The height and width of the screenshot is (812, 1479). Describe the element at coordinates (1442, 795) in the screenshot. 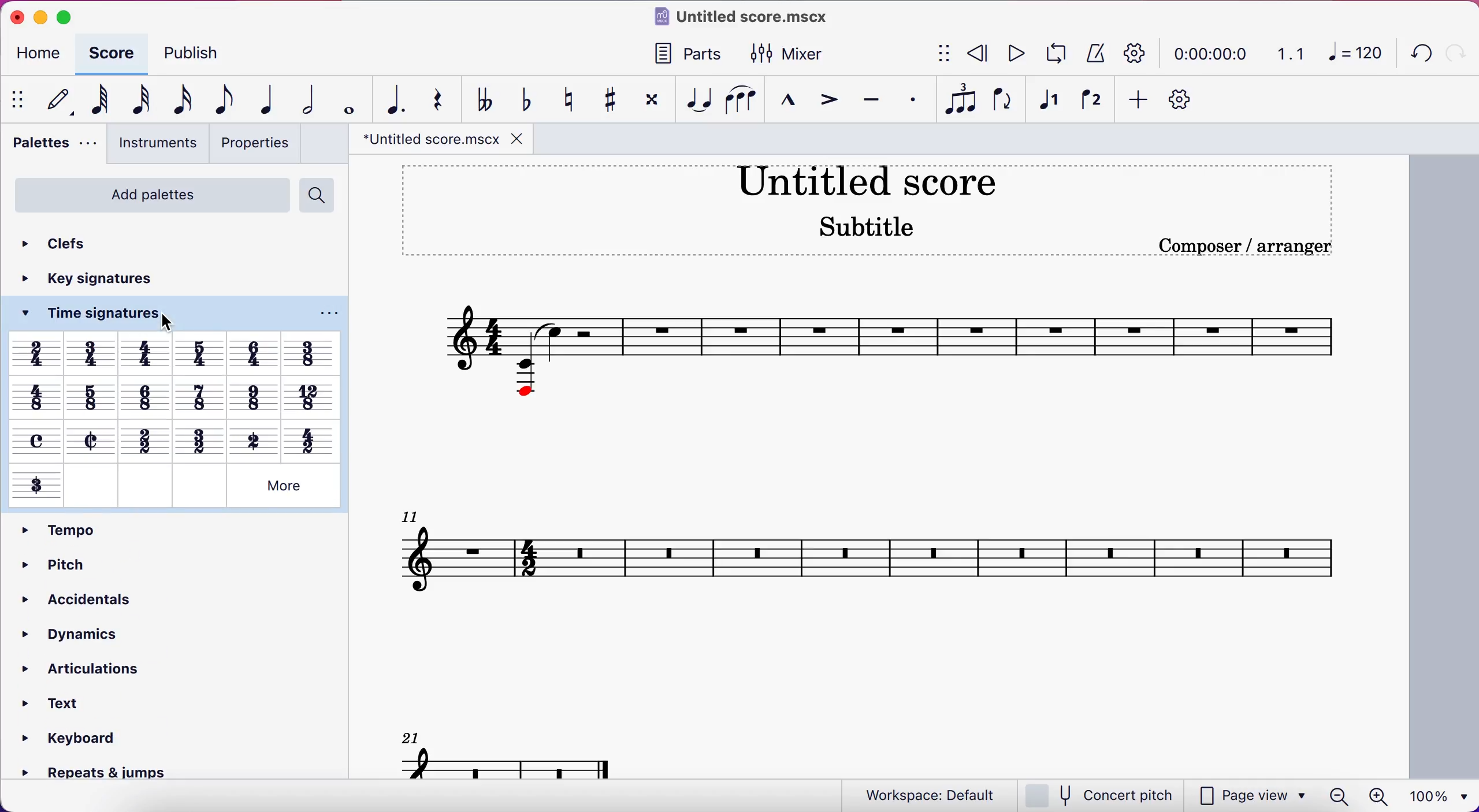

I see `100%` at that location.